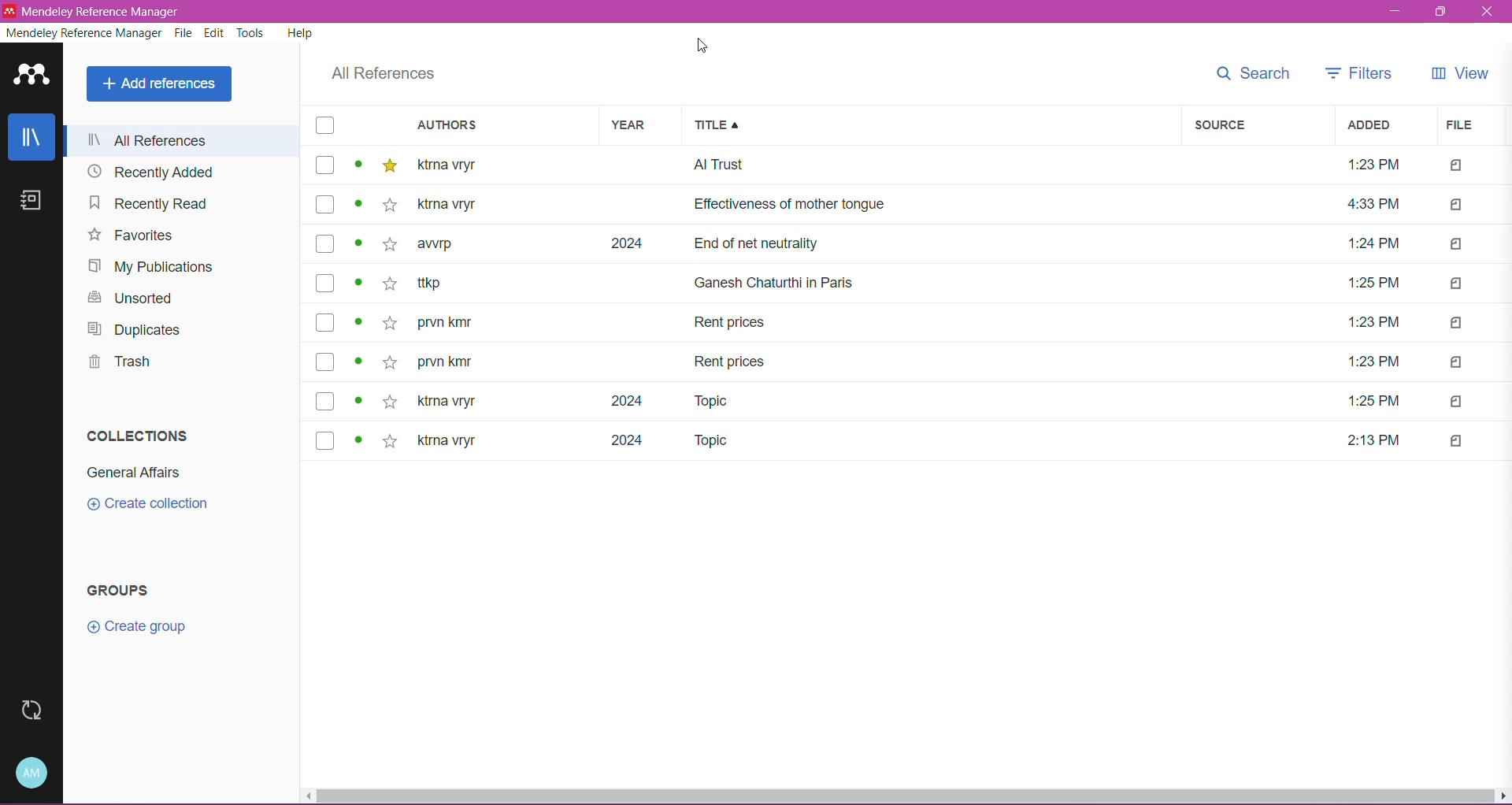 The image size is (1512, 805). Describe the element at coordinates (149, 266) in the screenshot. I see `My Publications` at that location.